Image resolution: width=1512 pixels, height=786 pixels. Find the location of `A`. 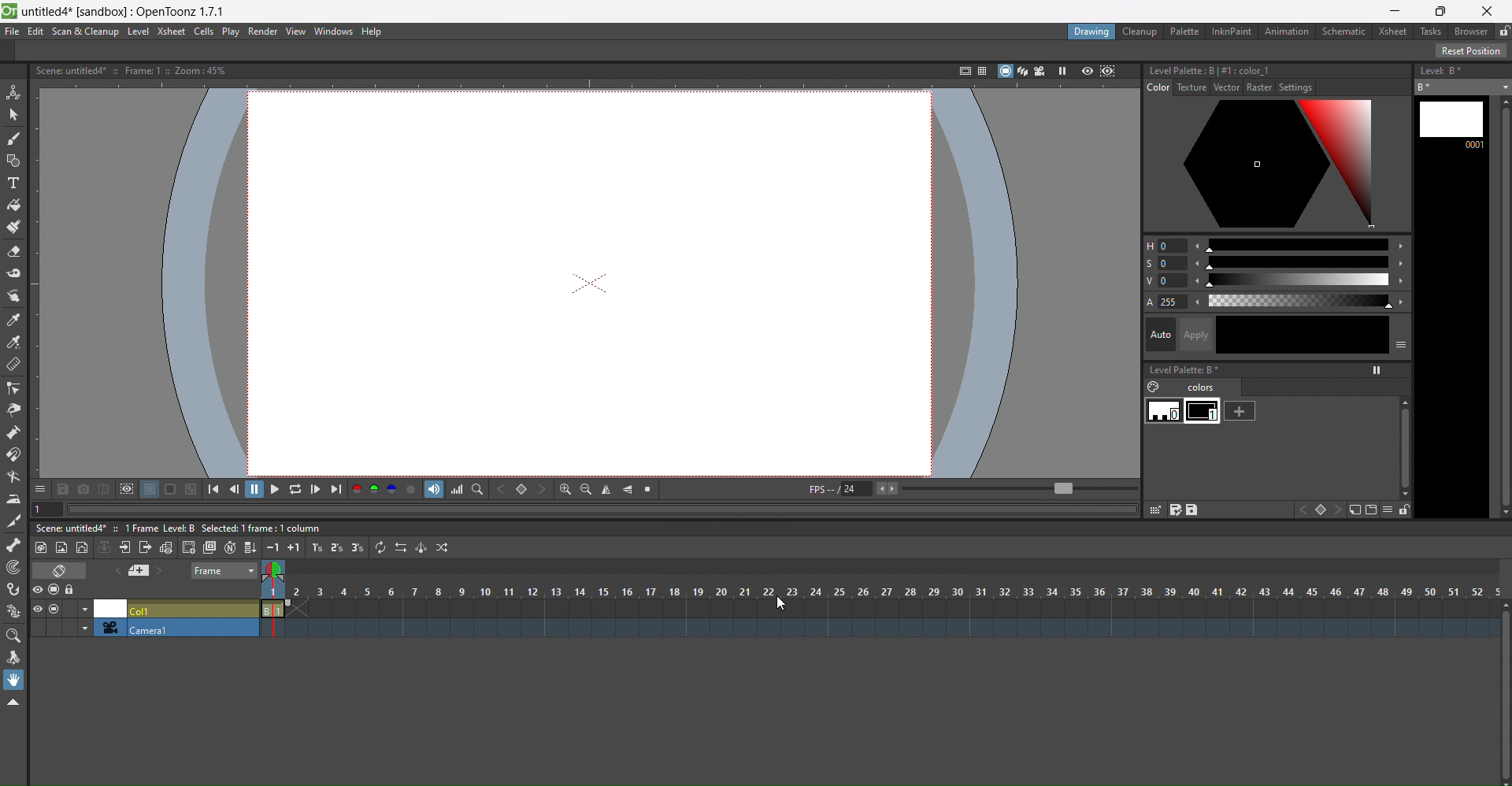

A is located at coordinates (1301, 301).